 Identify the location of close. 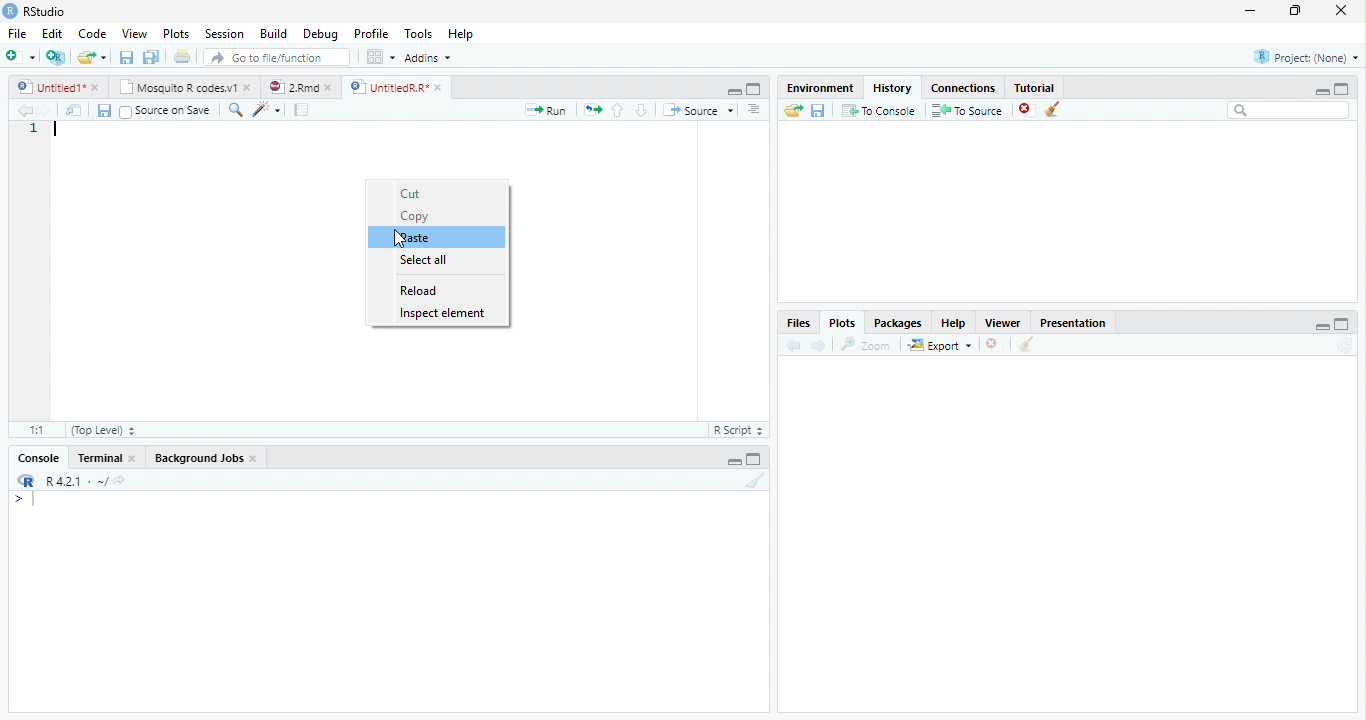
(250, 88).